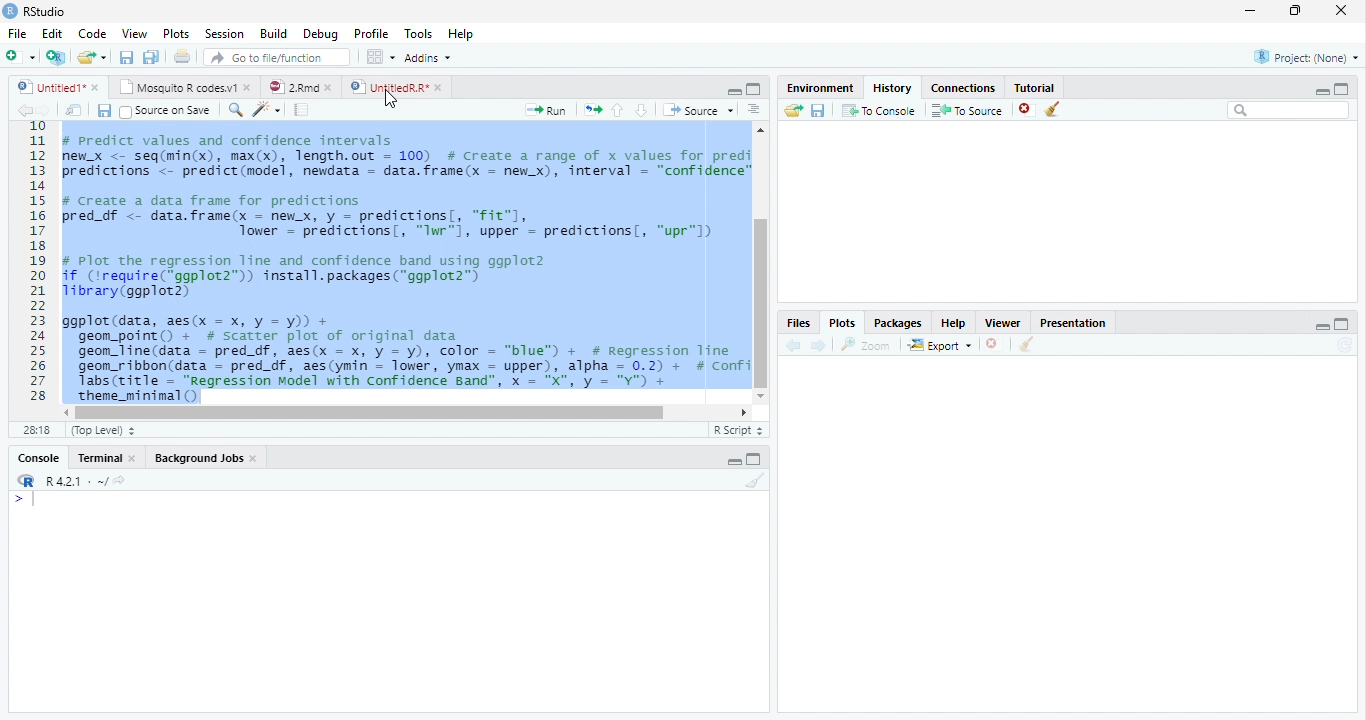  Describe the element at coordinates (38, 272) in the screenshot. I see `11121311s161718192021223225262728` at that location.